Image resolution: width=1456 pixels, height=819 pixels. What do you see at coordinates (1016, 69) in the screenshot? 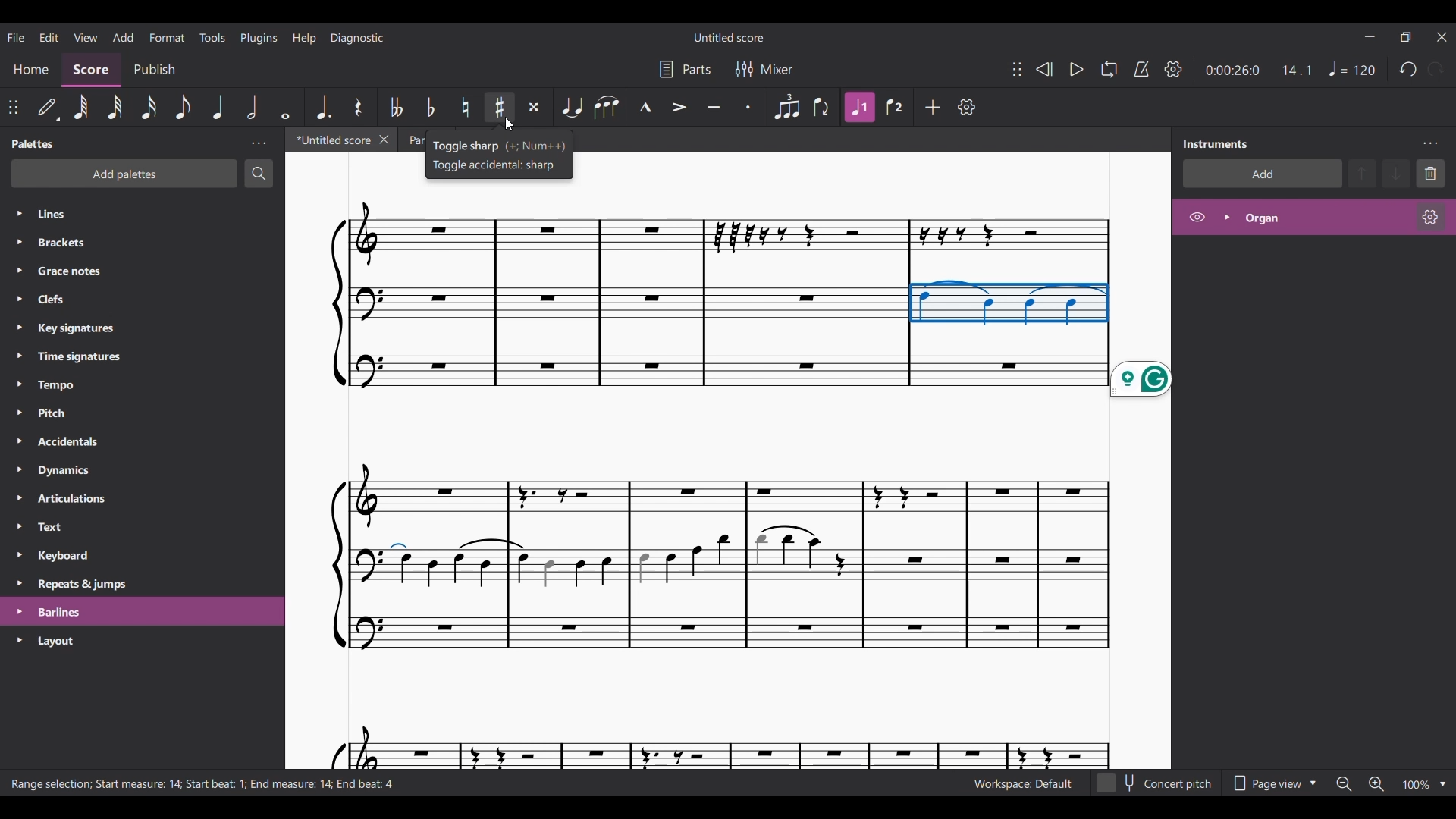
I see `Change position of toolbar attached` at bounding box center [1016, 69].